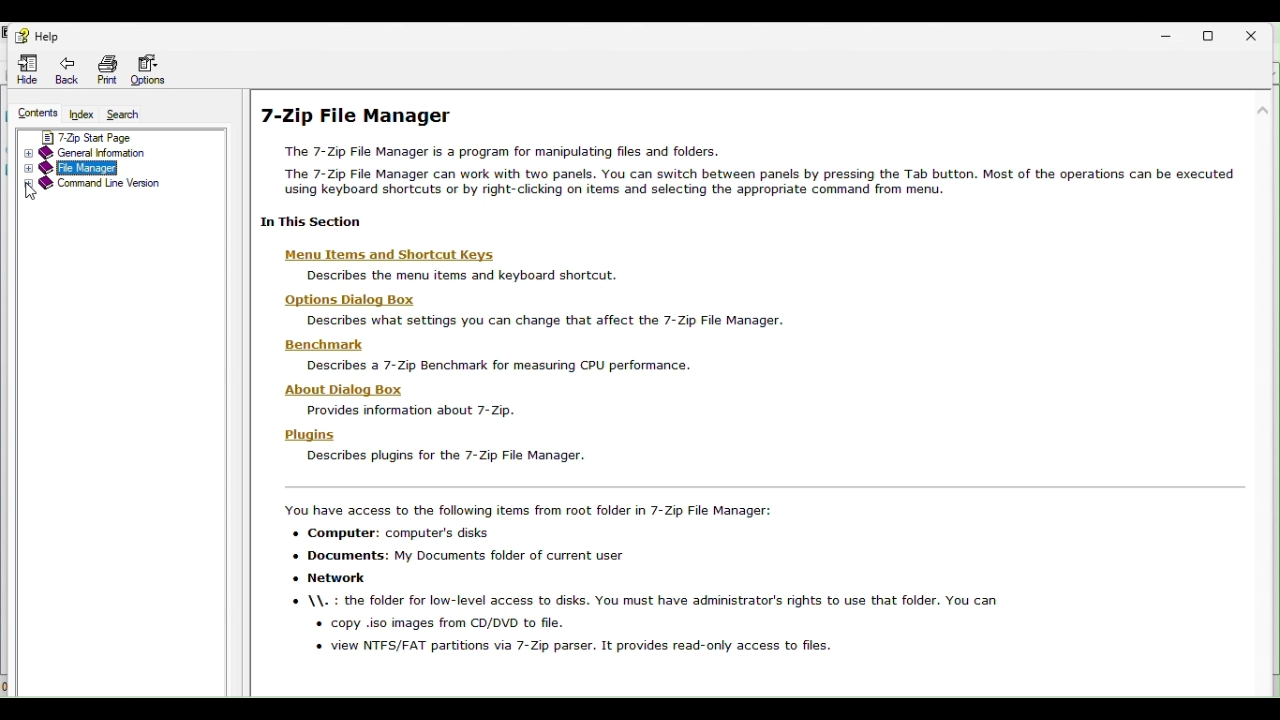 The image size is (1280, 720). What do you see at coordinates (456, 276) in the screenshot?
I see `Describes the menu items and keyboard shortcut.` at bounding box center [456, 276].